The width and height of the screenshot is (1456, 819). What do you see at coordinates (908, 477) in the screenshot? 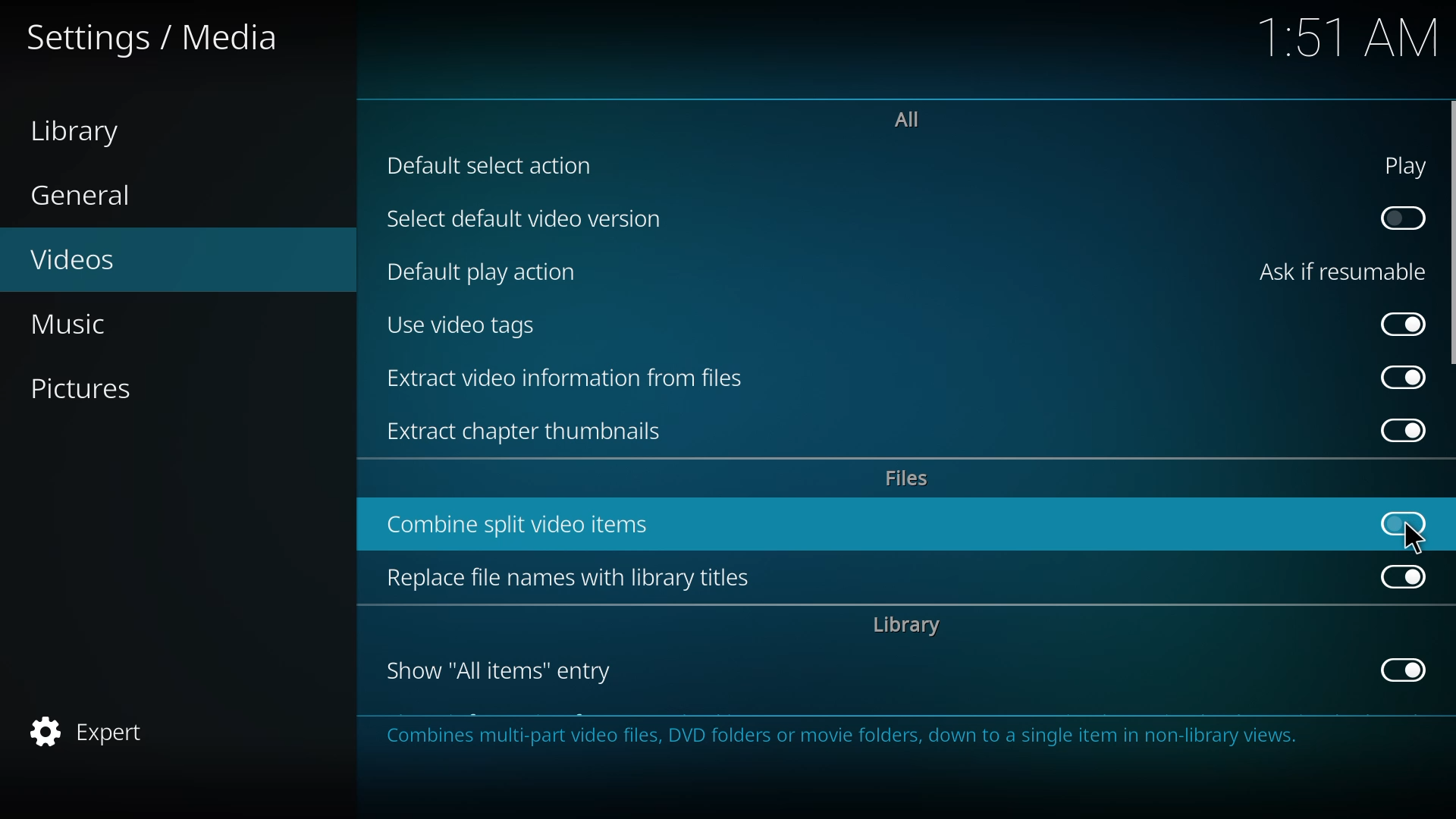
I see `files` at bounding box center [908, 477].